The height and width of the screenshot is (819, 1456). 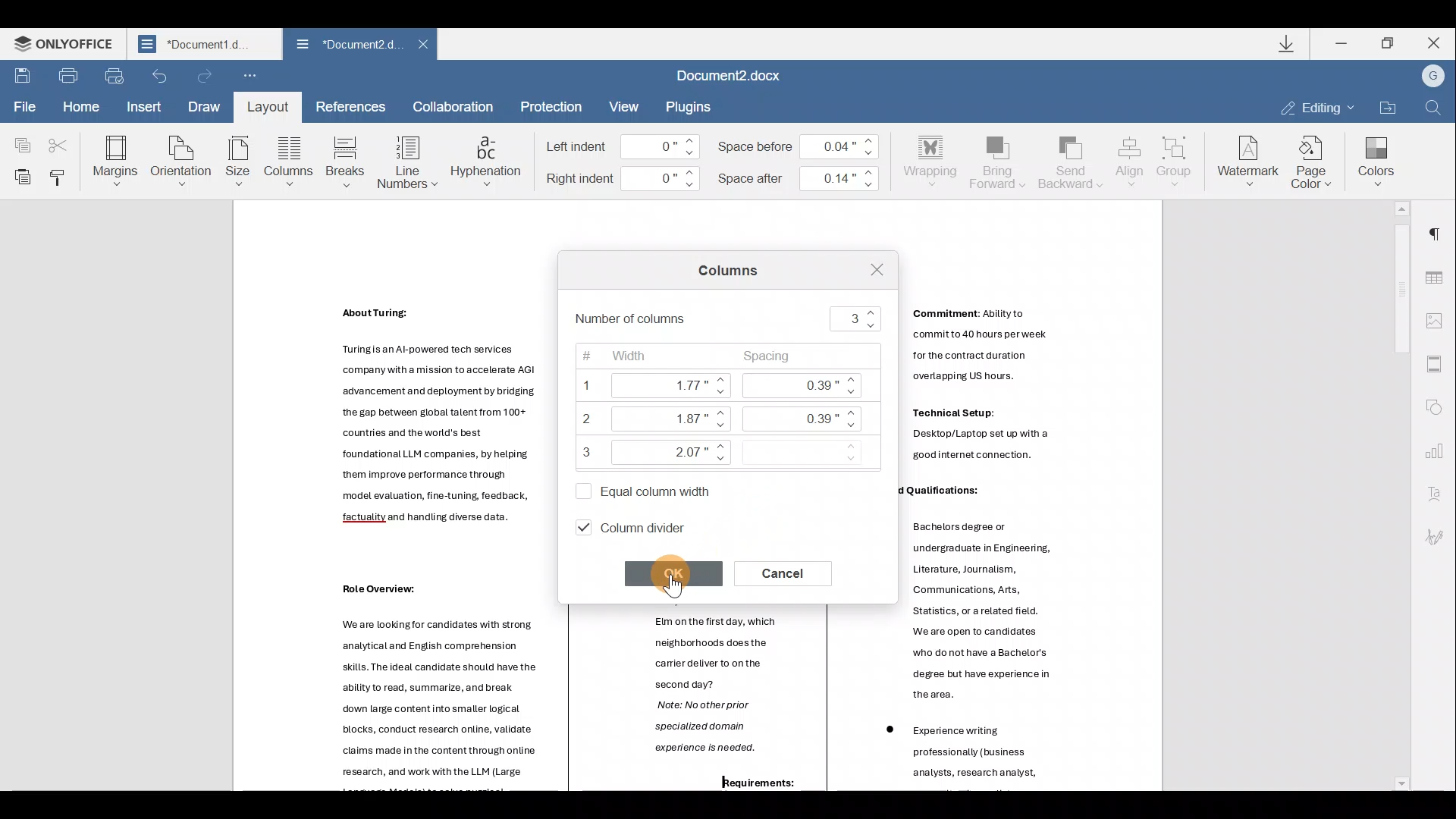 What do you see at coordinates (487, 158) in the screenshot?
I see `Hyphenation` at bounding box center [487, 158].